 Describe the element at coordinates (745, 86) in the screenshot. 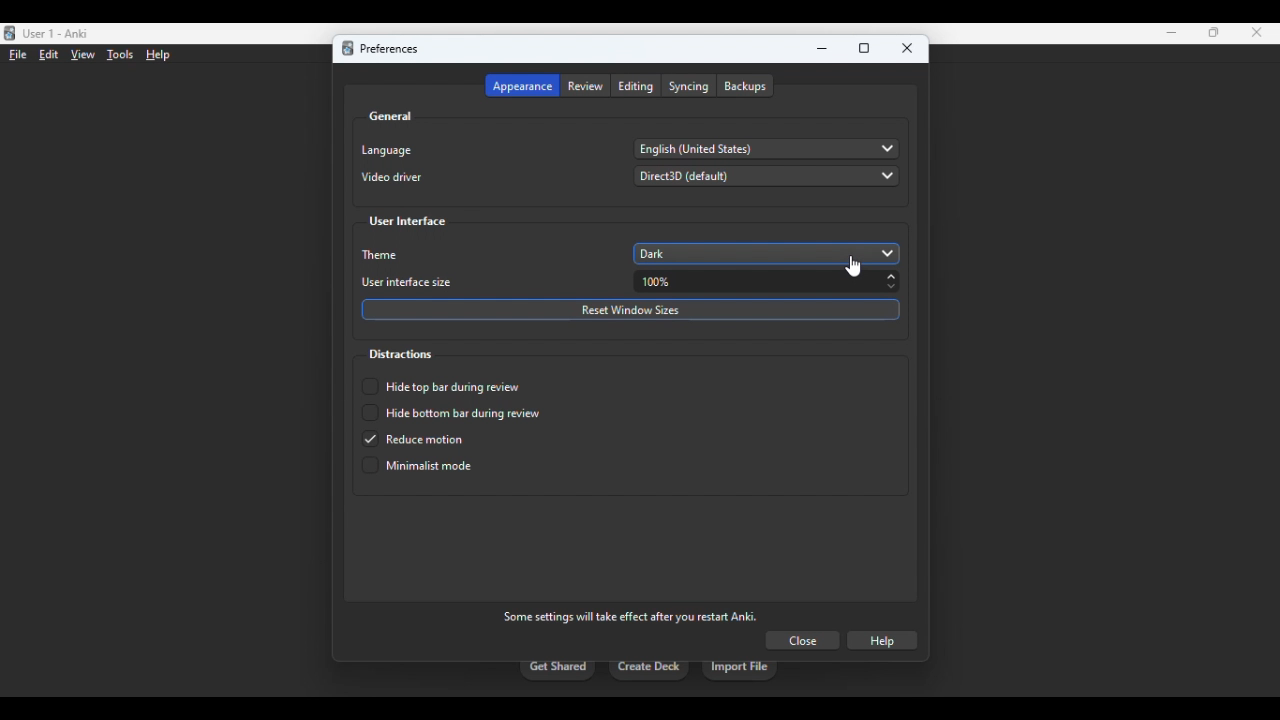

I see `backups` at that location.